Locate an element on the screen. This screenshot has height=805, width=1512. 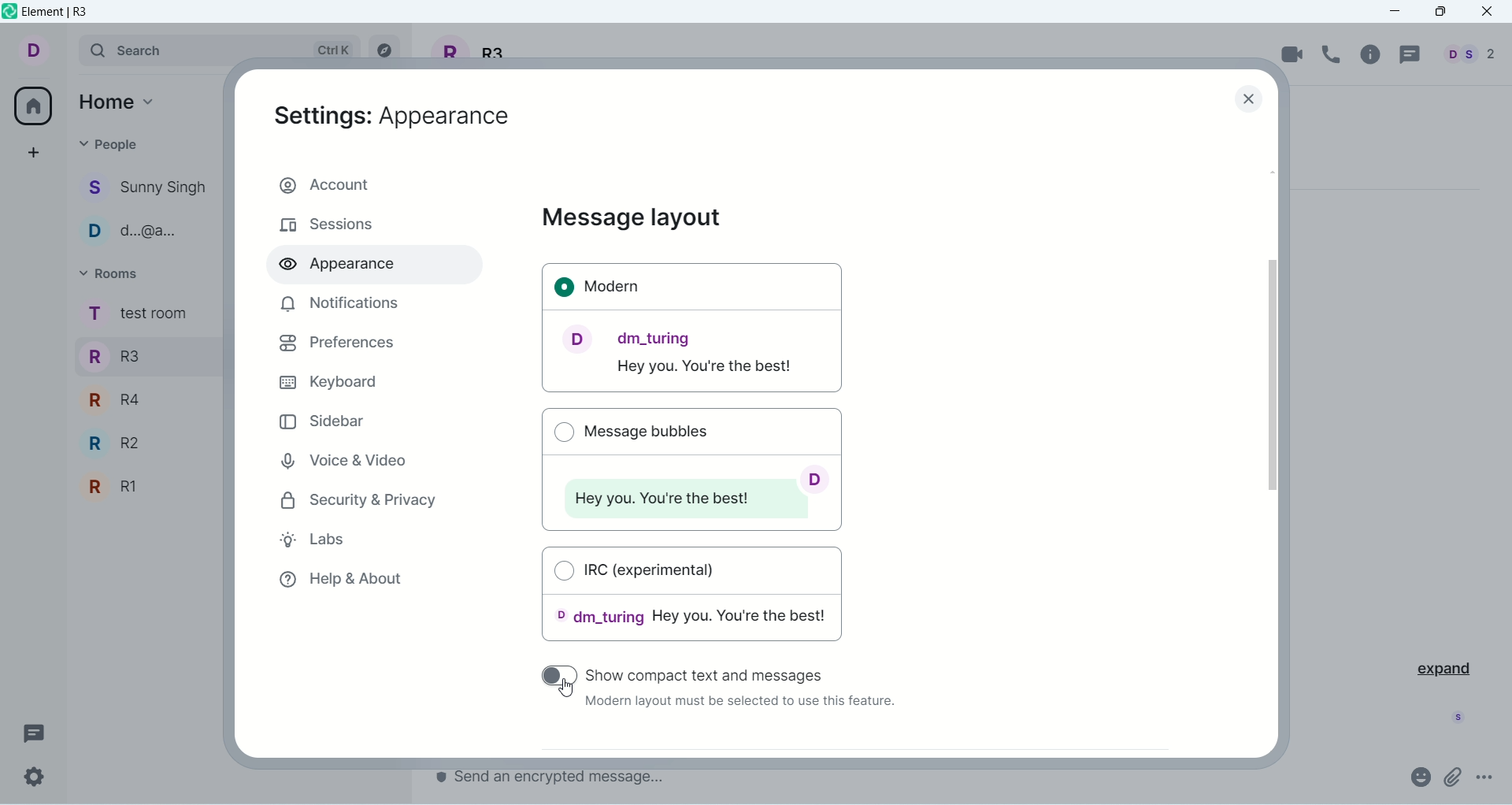
search is located at coordinates (221, 50).